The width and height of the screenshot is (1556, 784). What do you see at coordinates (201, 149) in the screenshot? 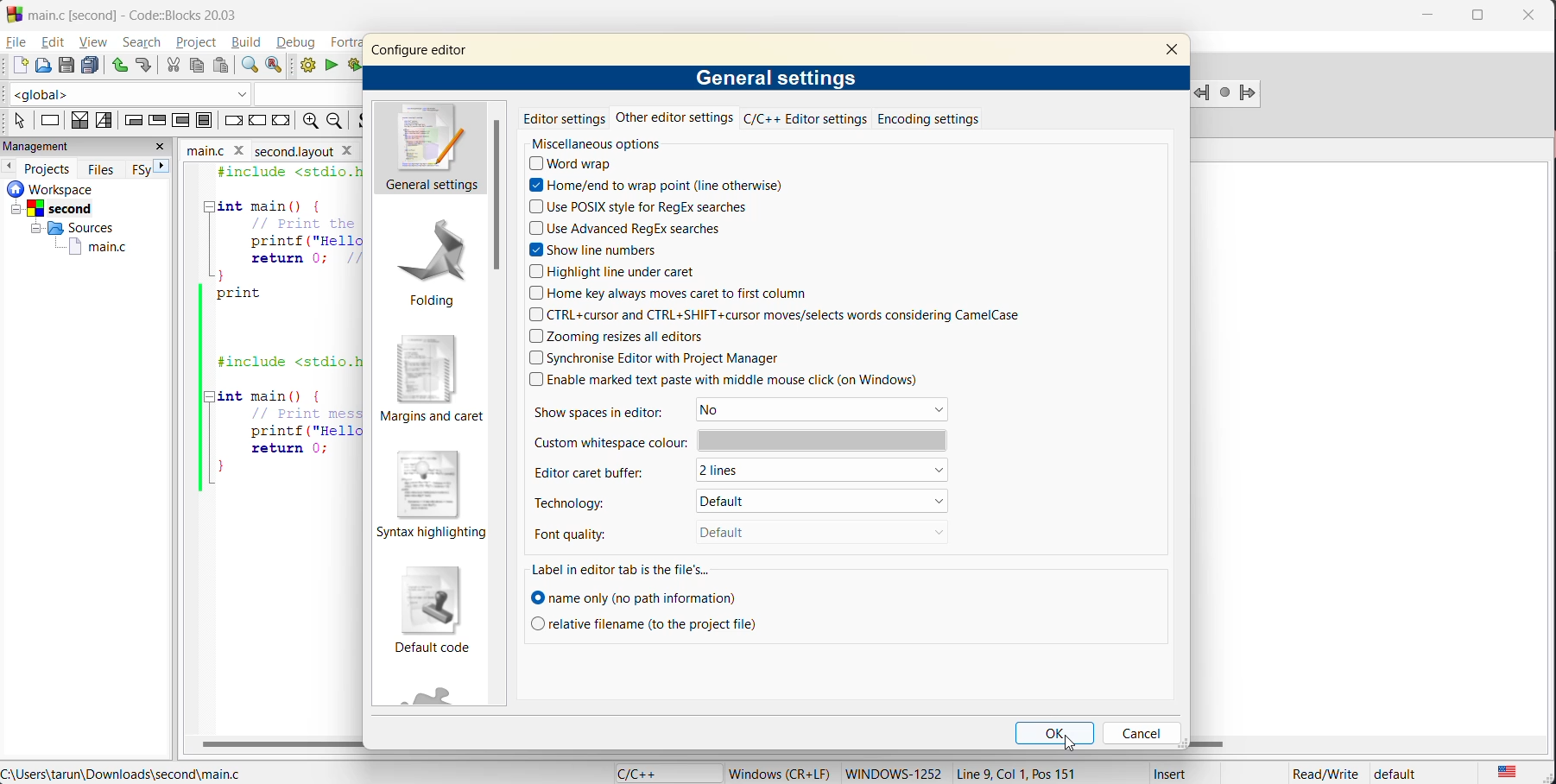
I see `main` at bounding box center [201, 149].